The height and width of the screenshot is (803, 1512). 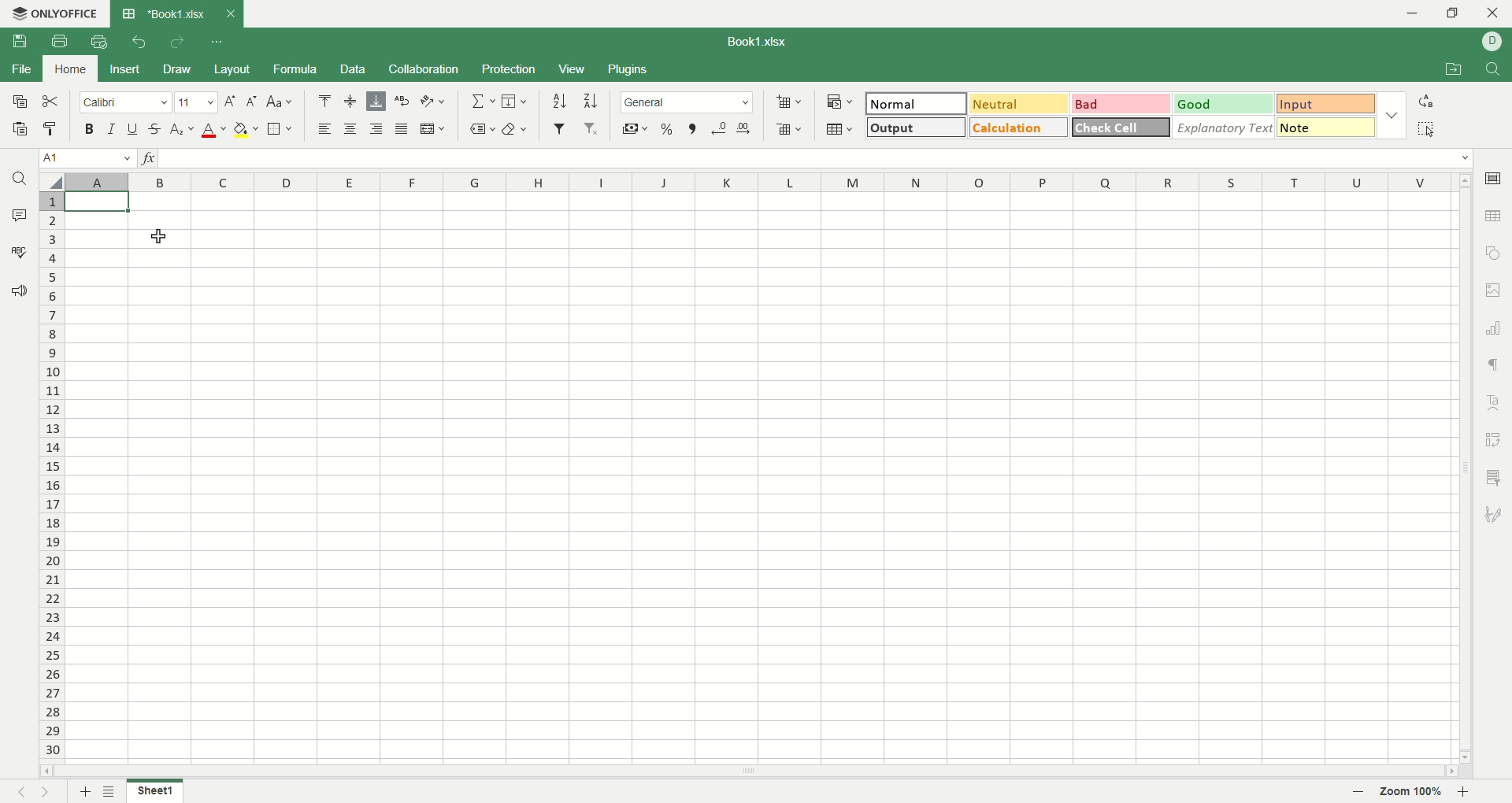 I want to click on font color, so click(x=214, y=131).